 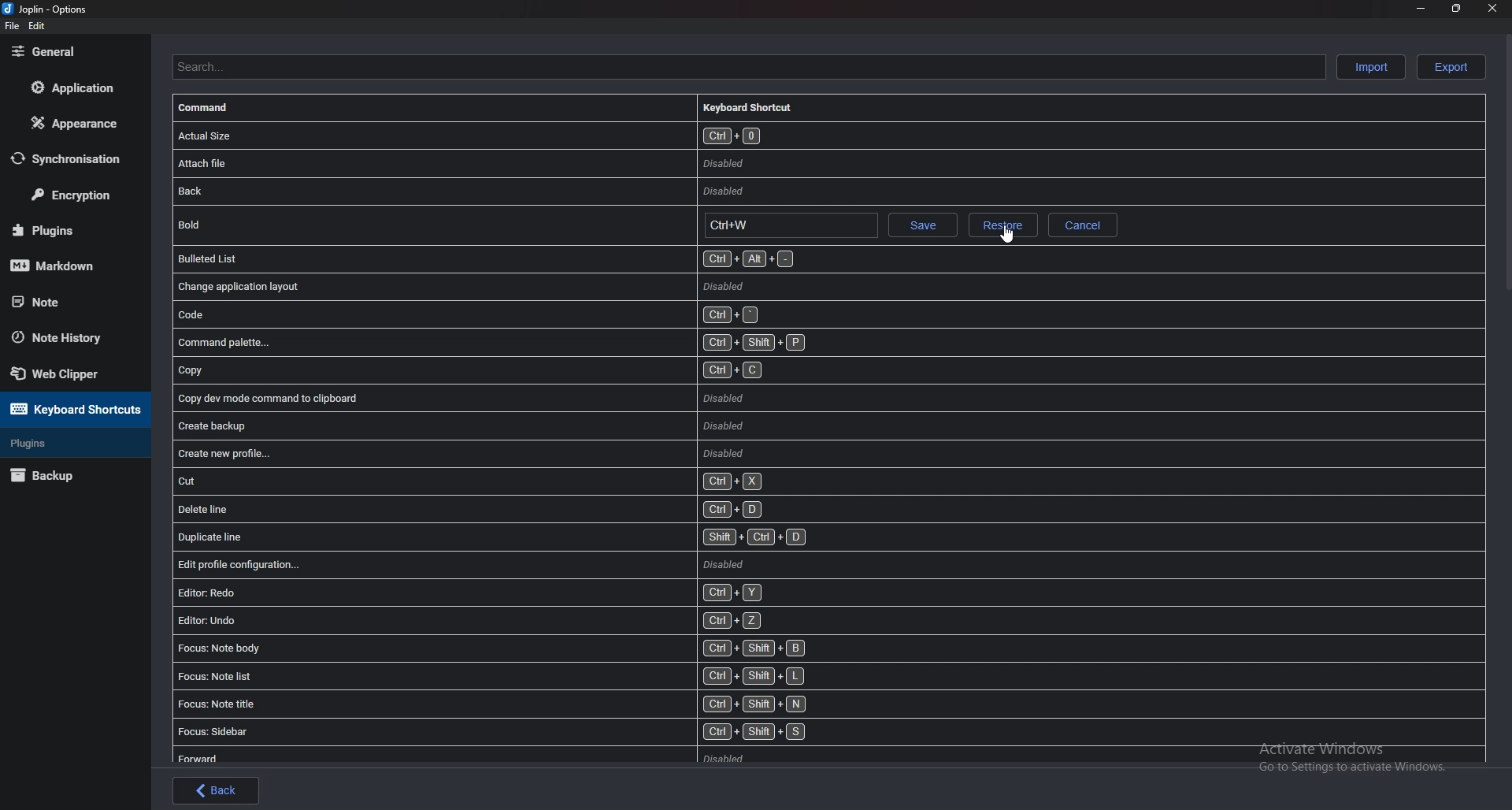 What do you see at coordinates (76, 158) in the screenshot?
I see `Synchronization` at bounding box center [76, 158].